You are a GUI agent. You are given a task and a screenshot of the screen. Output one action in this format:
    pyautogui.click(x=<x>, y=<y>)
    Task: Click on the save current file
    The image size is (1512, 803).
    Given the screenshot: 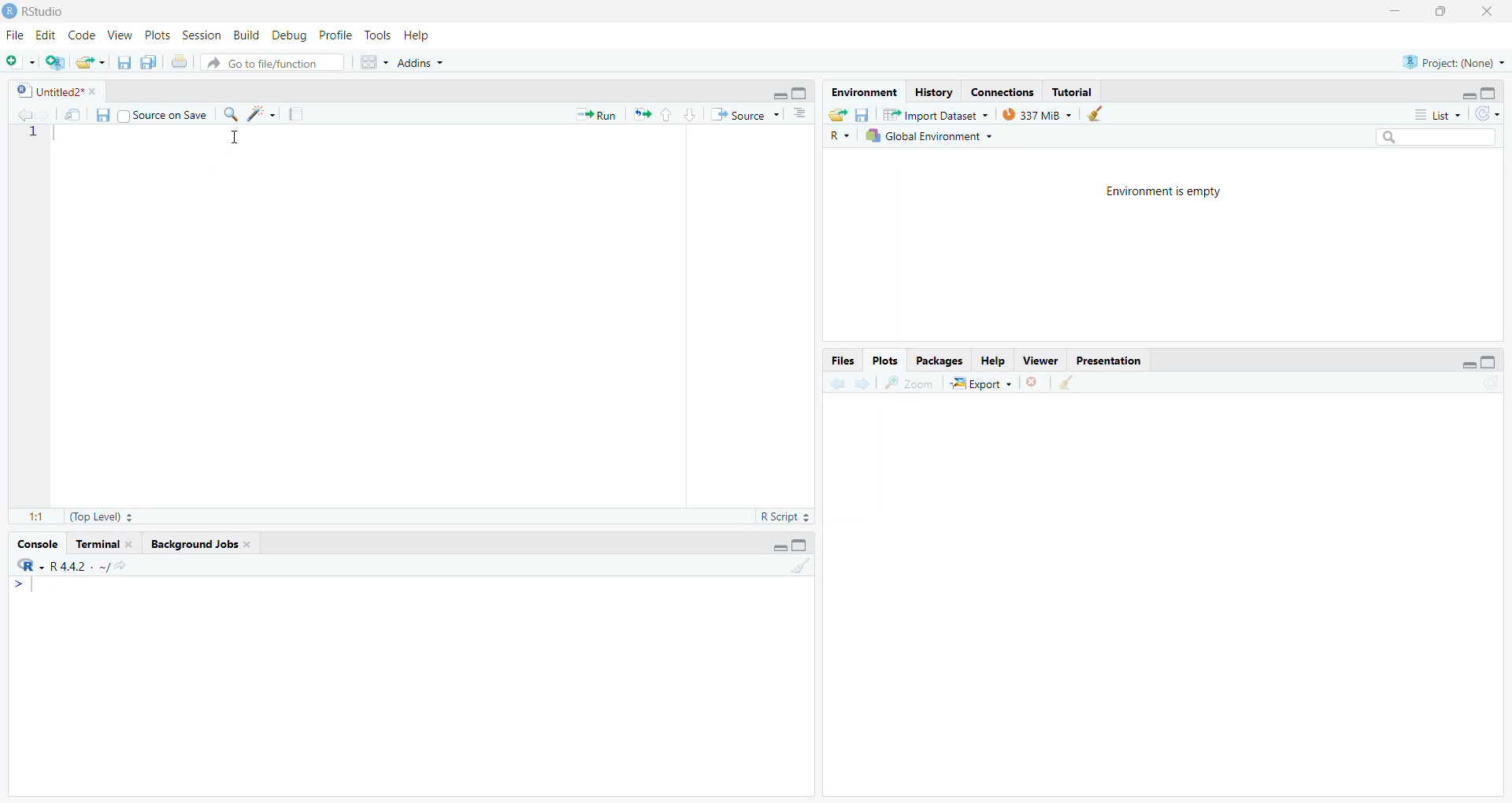 What is the action you would take?
    pyautogui.click(x=101, y=115)
    